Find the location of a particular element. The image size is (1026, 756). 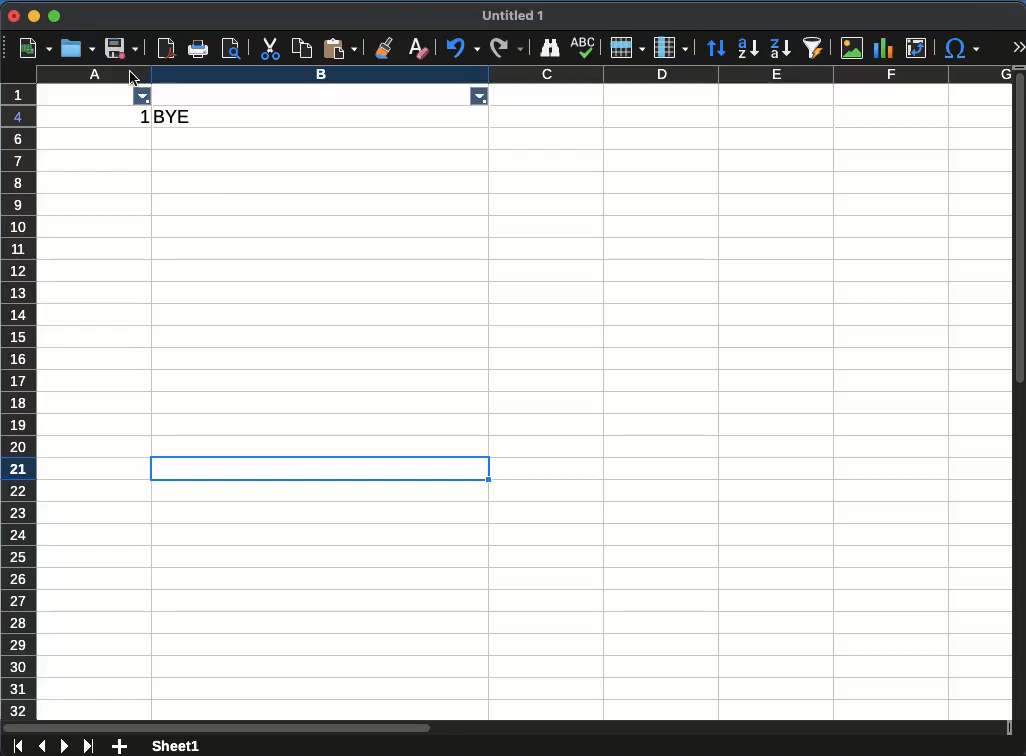

row is located at coordinates (18, 402).